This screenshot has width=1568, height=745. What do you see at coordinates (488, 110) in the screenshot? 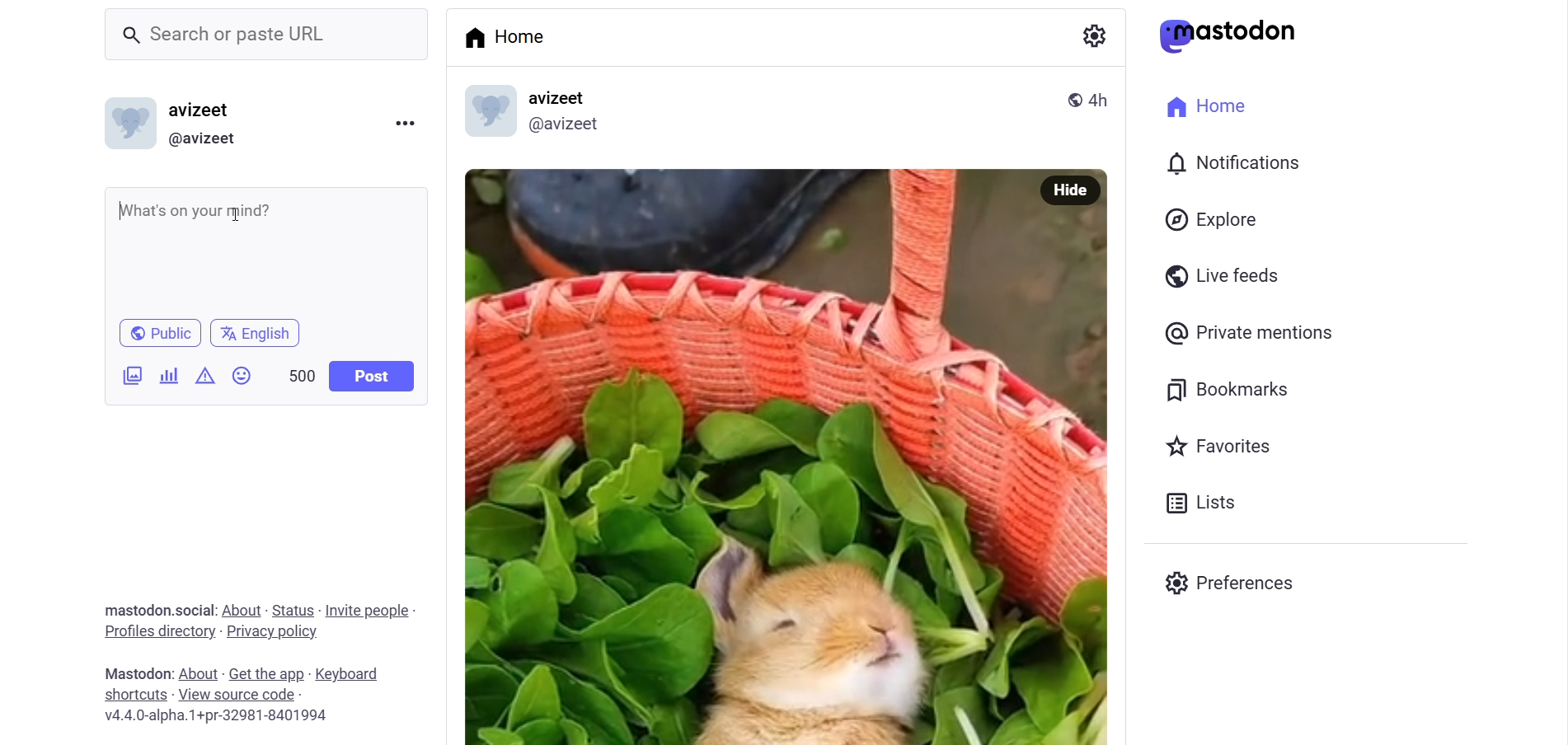
I see `profile picture` at bounding box center [488, 110].